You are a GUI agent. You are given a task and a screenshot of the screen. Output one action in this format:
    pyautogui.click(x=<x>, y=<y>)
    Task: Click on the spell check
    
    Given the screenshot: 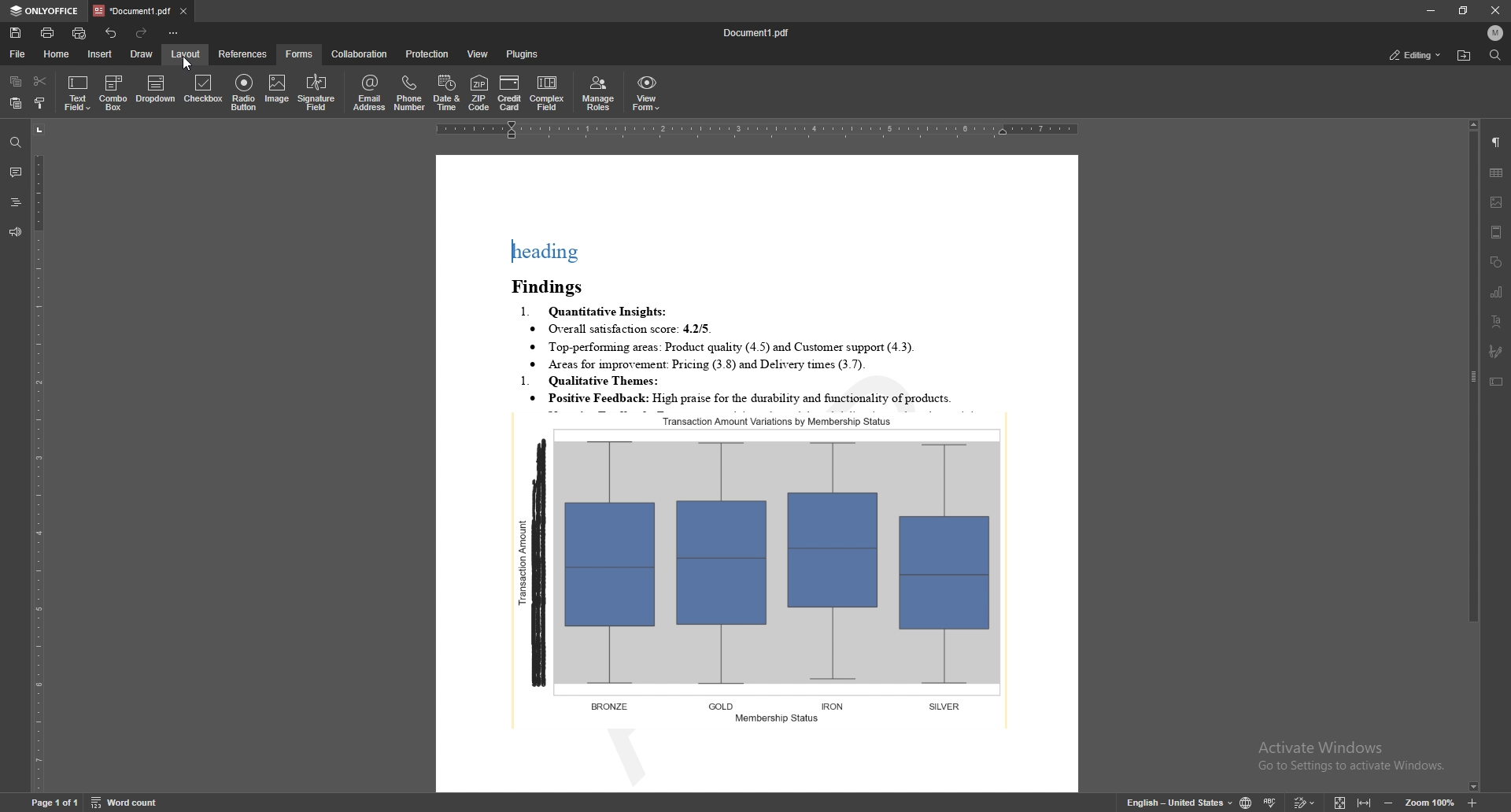 What is the action you would take?
    pyautogui.click(x=1270, y=801)
    